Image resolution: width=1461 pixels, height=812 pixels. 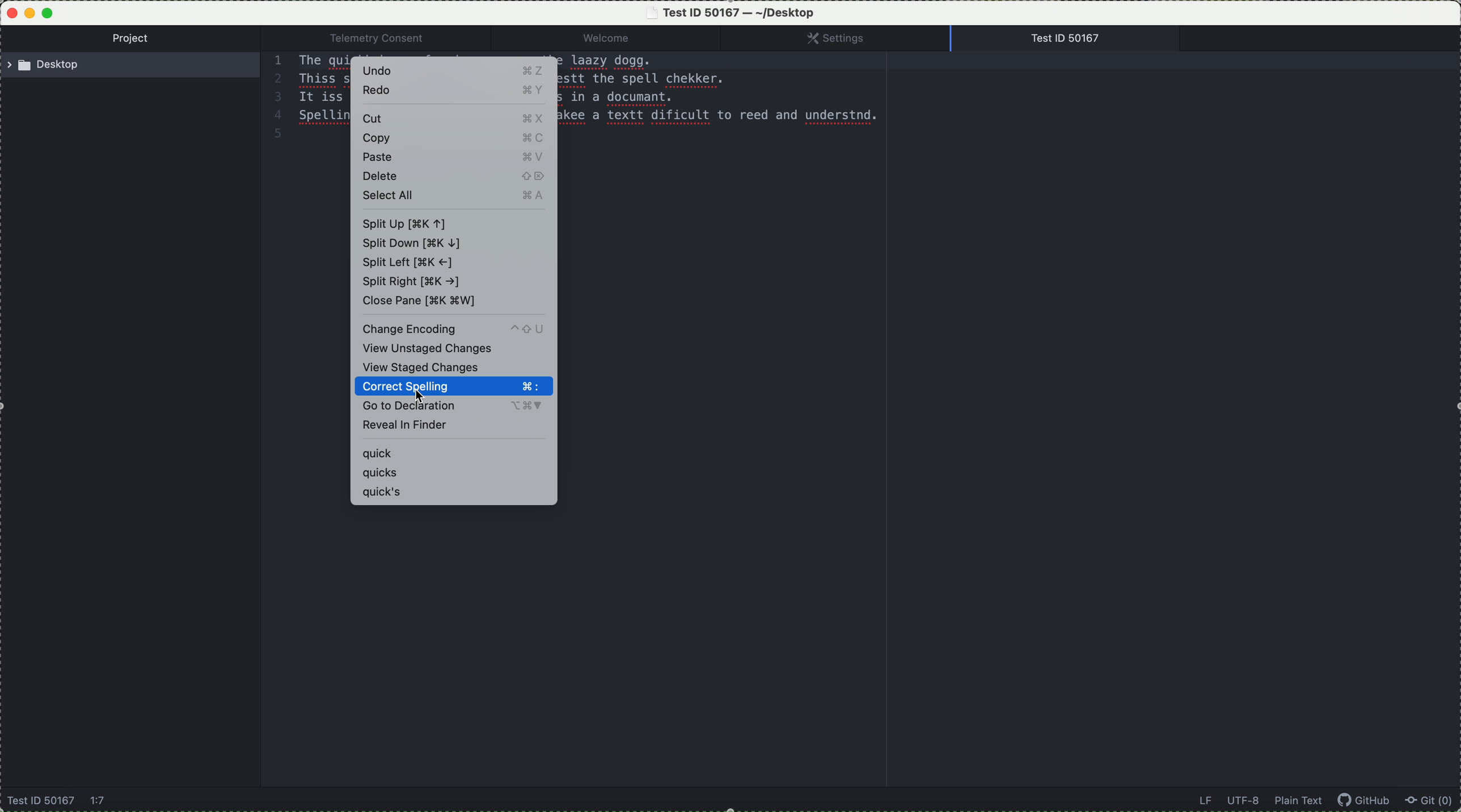 I want to click on go to declaration, so click(x=454, y=407).